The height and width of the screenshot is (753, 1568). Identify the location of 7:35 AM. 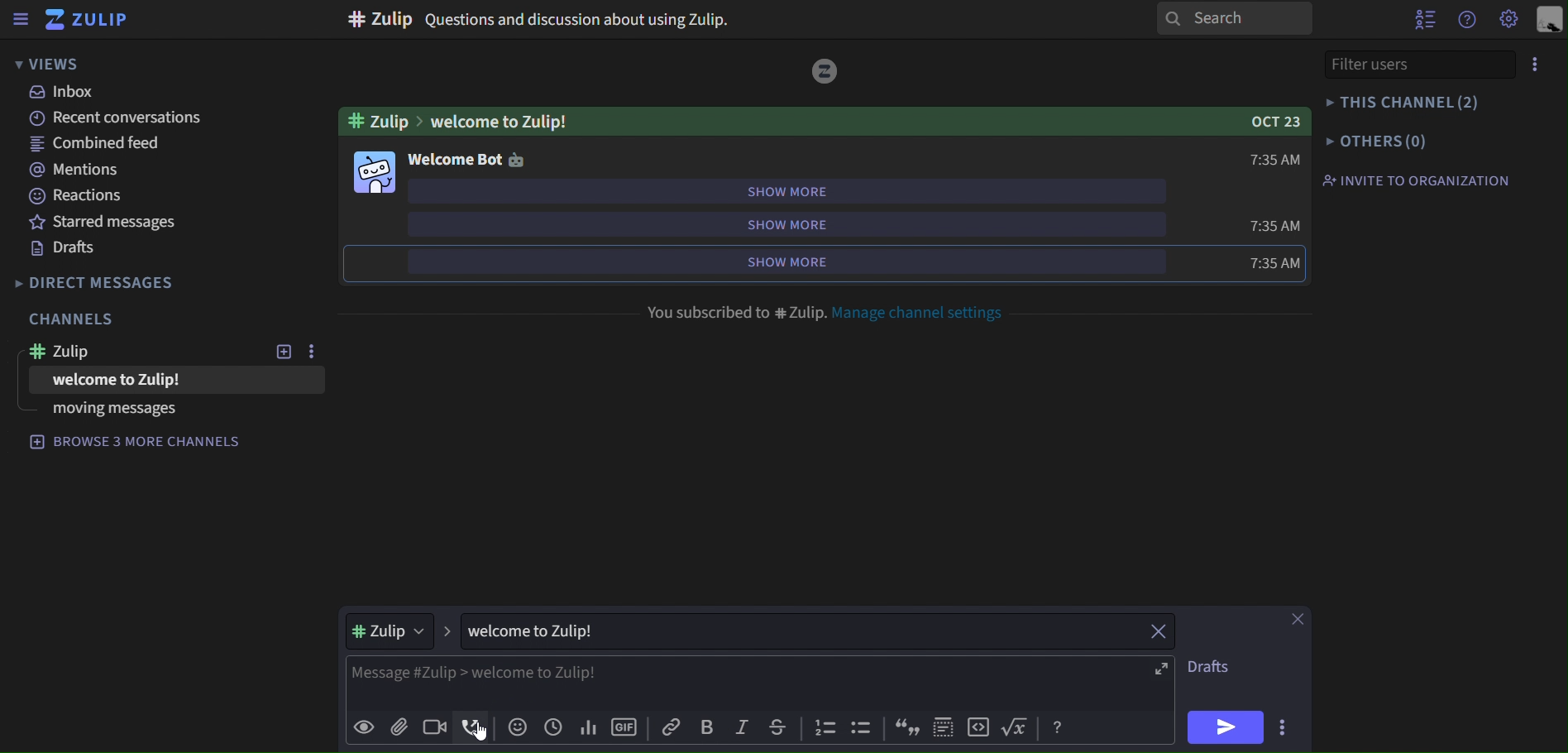
(1278, 160).